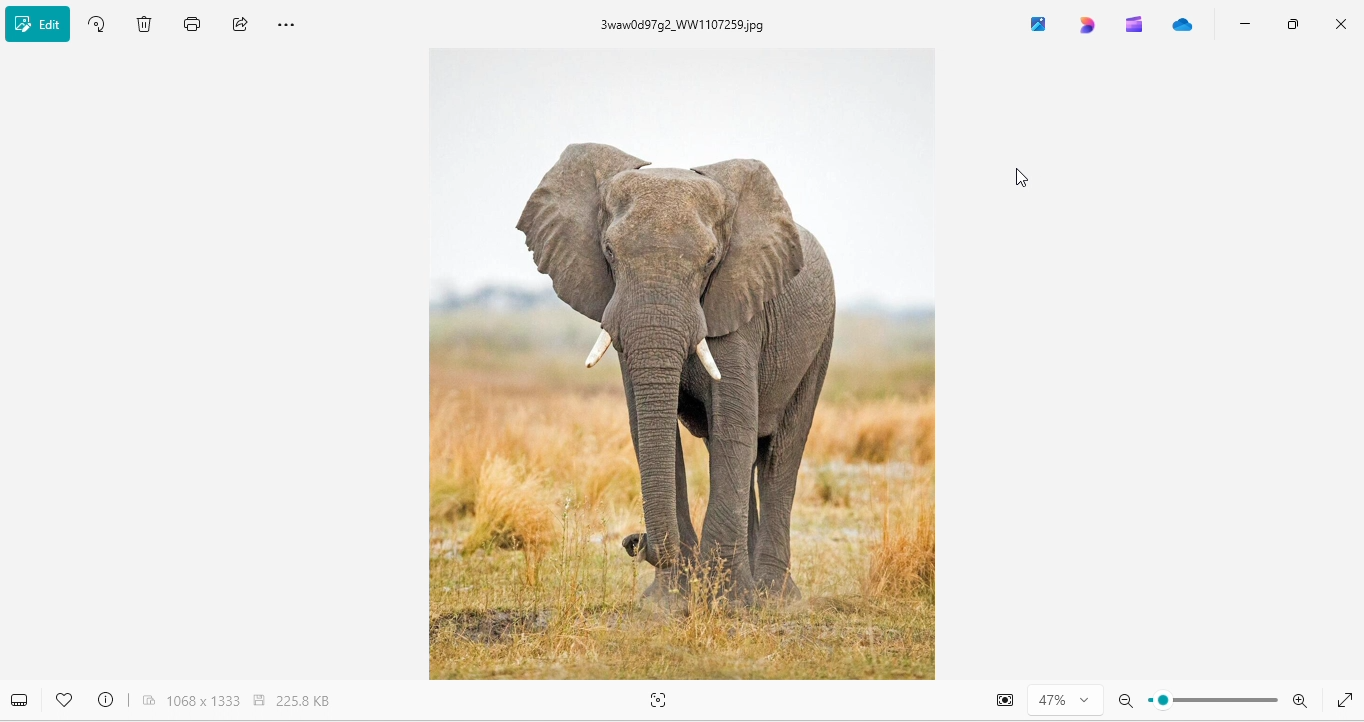  I want to click on Screenshot, so click(1005, 701).